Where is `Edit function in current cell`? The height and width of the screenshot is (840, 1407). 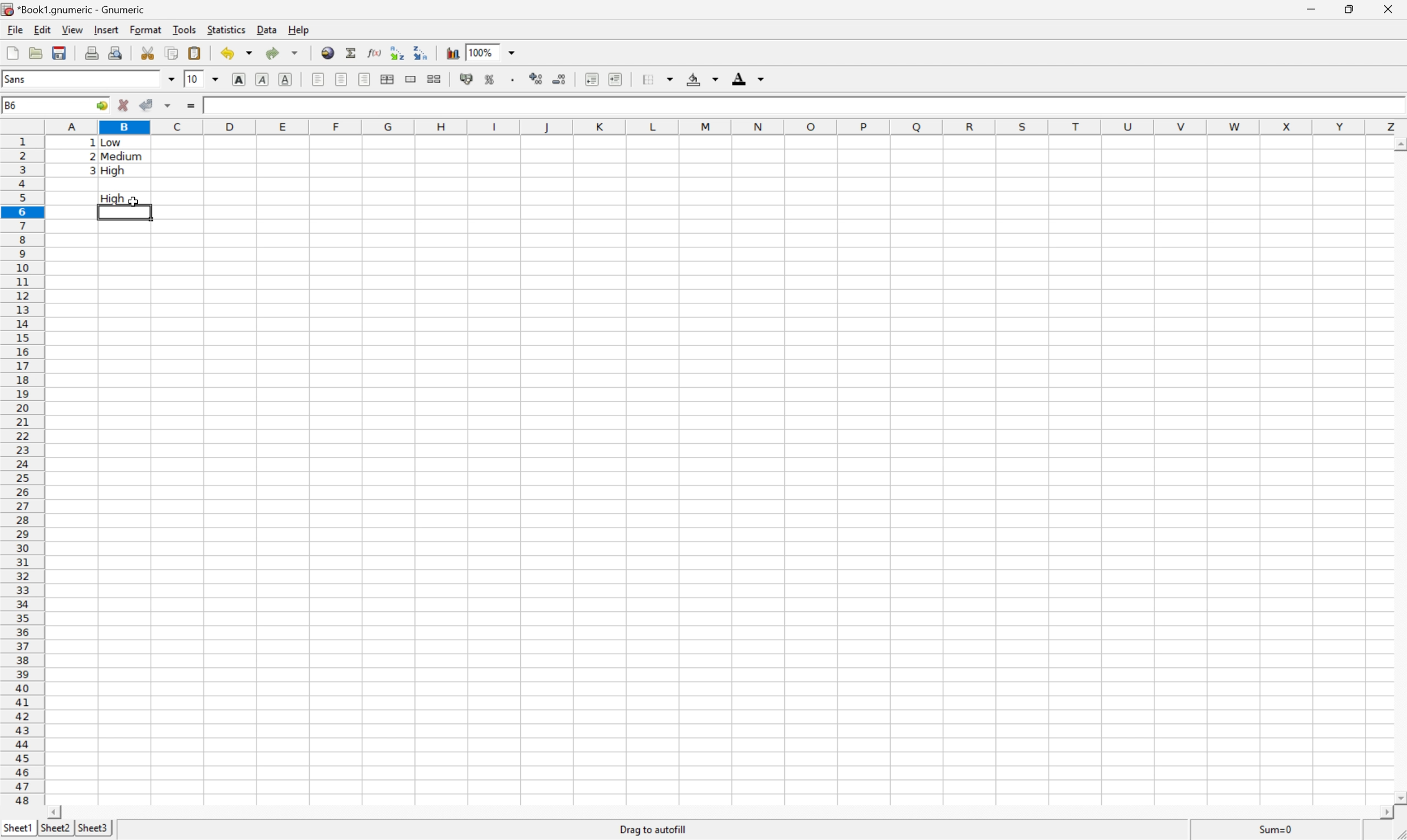 Edit function in current cell is located at coordinates (375, 53).